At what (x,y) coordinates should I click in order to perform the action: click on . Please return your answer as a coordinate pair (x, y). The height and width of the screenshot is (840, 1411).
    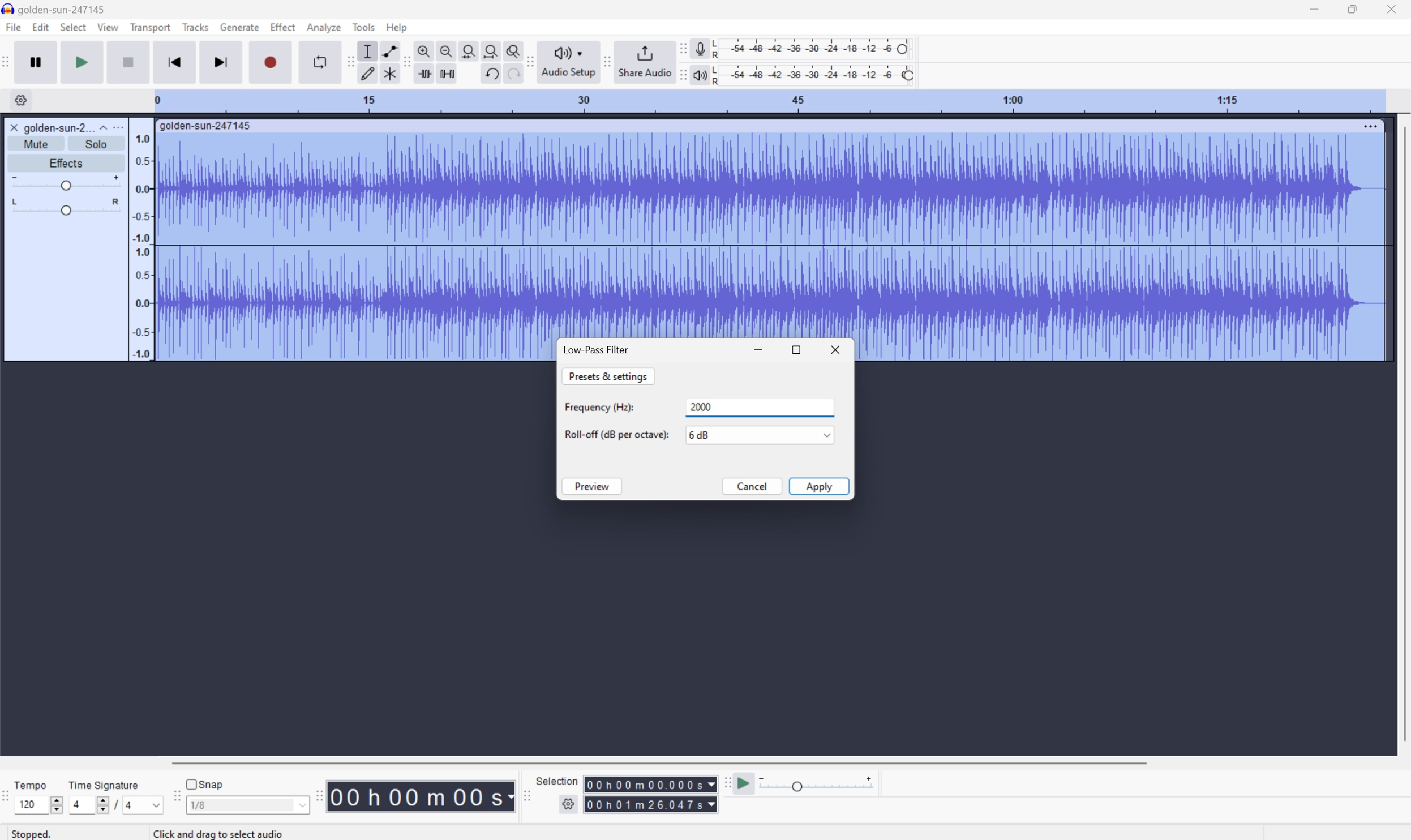
    Looking at the image, I should click on (650, 784).